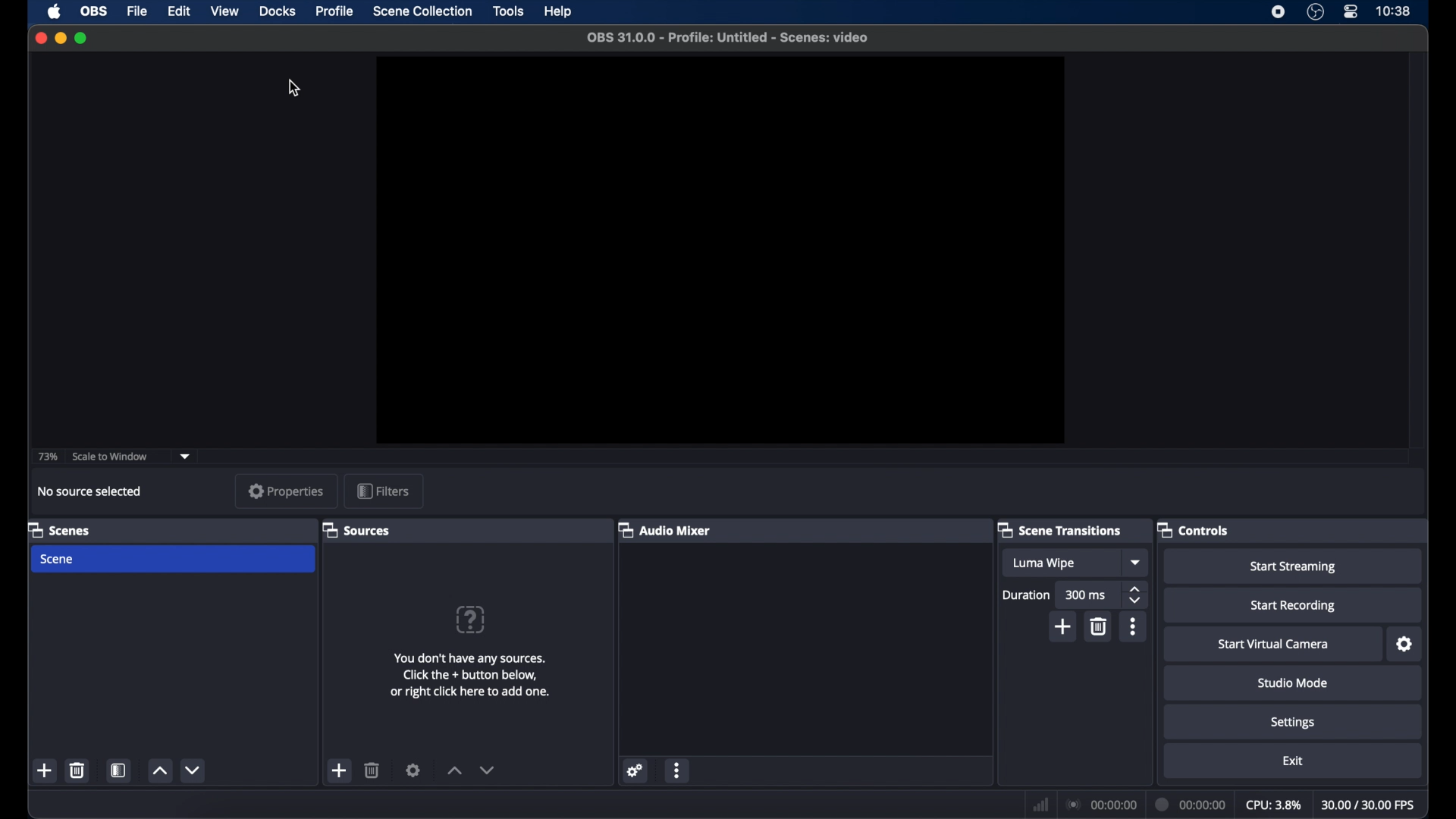  Describe the element at coordinates (337, 770) in the screenshot. I see `add sources` at that location.